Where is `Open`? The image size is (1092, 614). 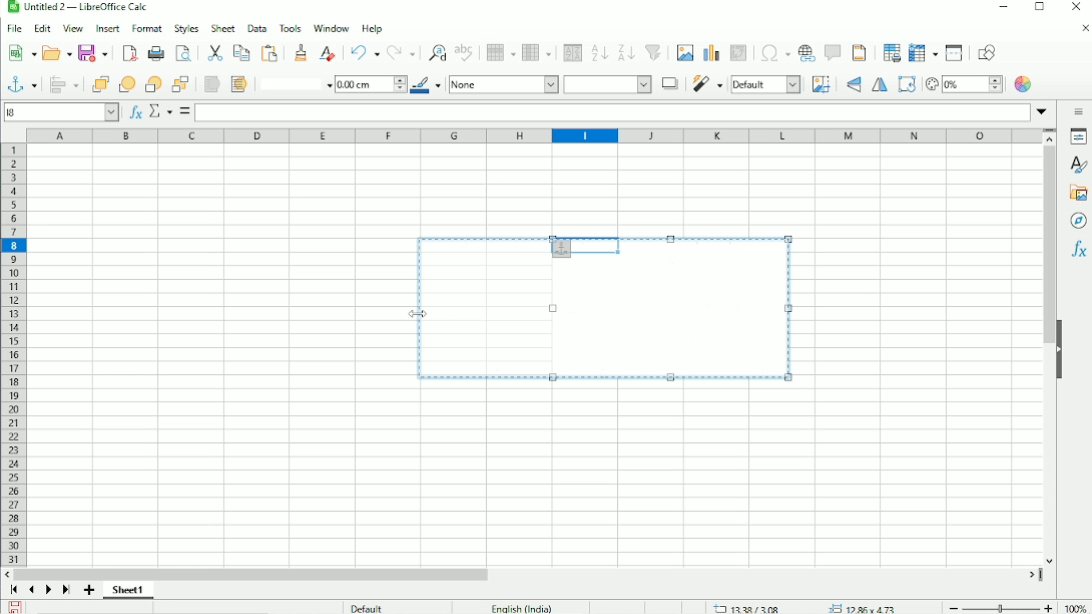
Open is located at coordinates (55, 52).